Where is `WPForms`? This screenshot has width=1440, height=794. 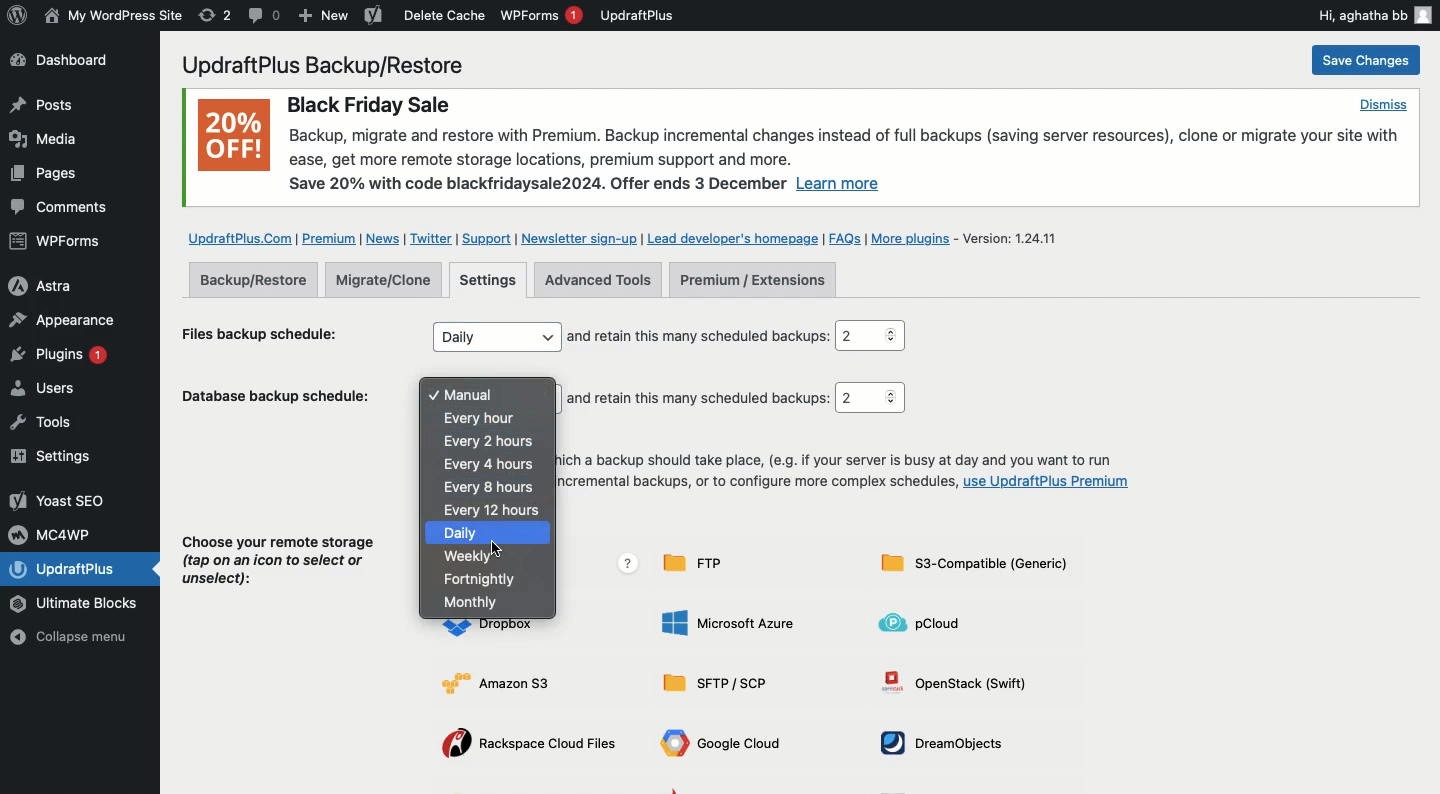 WPForms is located at coordinates (58, 243).